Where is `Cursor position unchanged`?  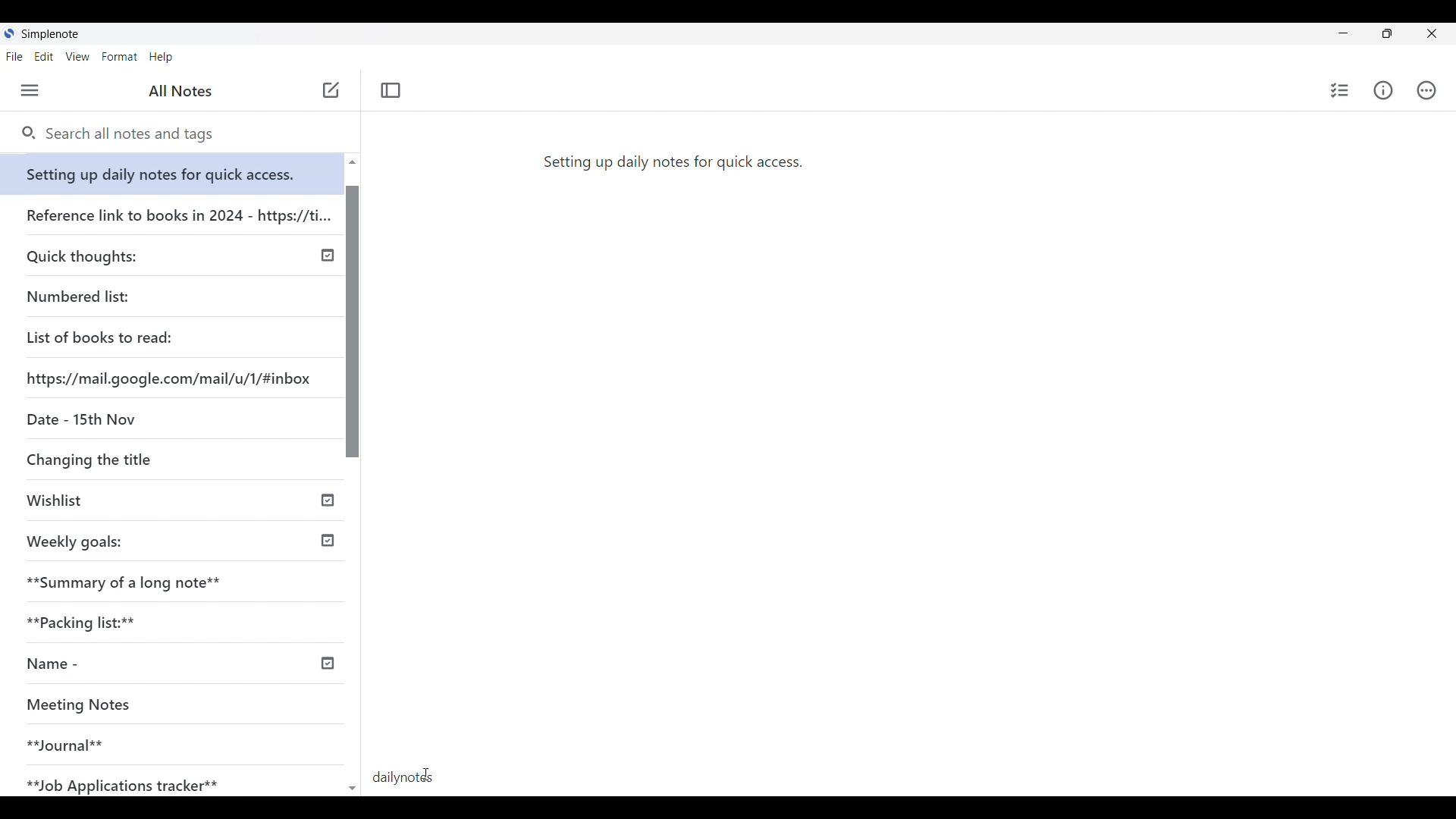 Cursor position unchanged is located at coordinates (329, 95).